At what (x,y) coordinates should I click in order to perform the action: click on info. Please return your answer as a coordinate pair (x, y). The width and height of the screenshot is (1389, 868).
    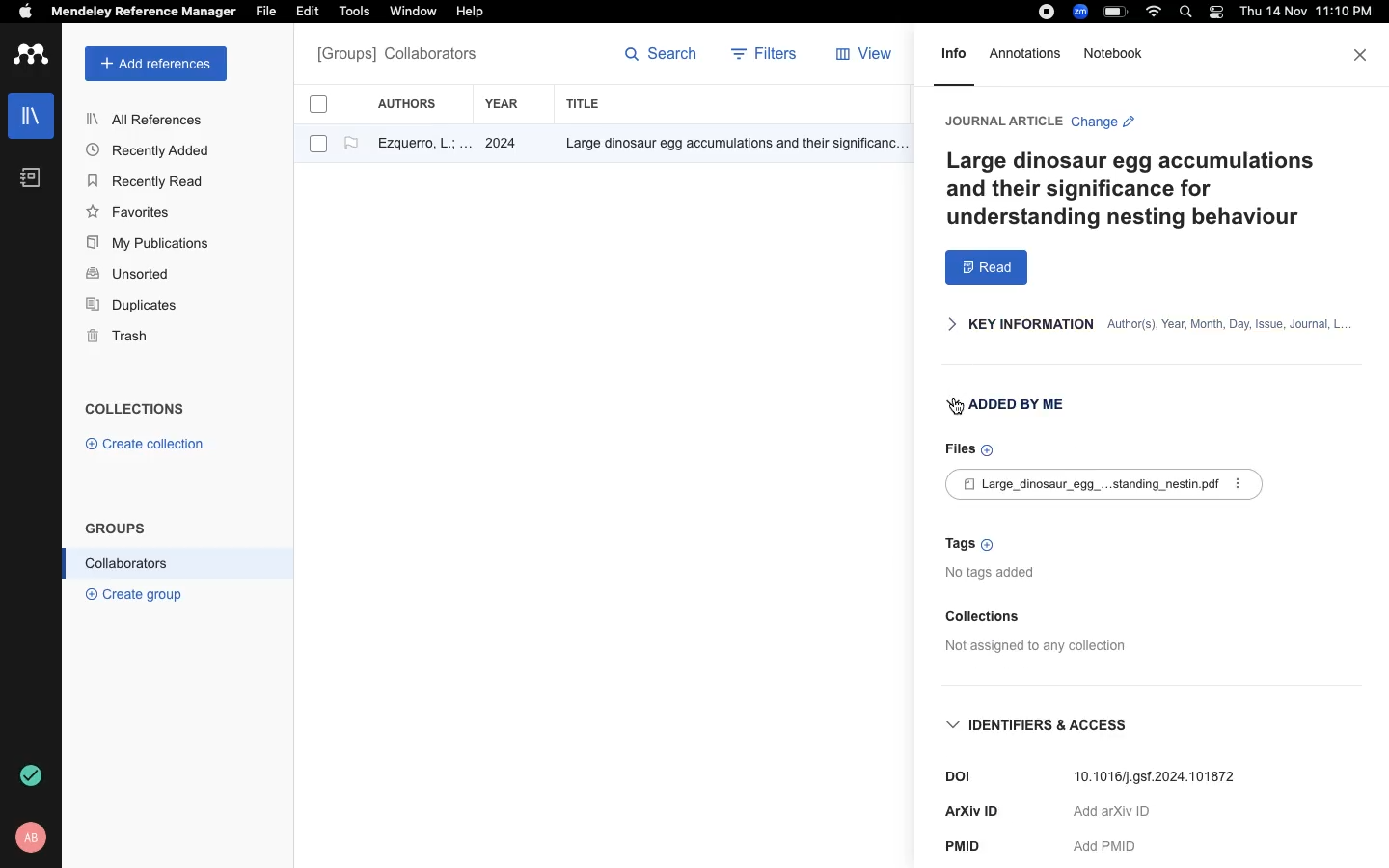
    Looking at the image, I should click on (954, 60).